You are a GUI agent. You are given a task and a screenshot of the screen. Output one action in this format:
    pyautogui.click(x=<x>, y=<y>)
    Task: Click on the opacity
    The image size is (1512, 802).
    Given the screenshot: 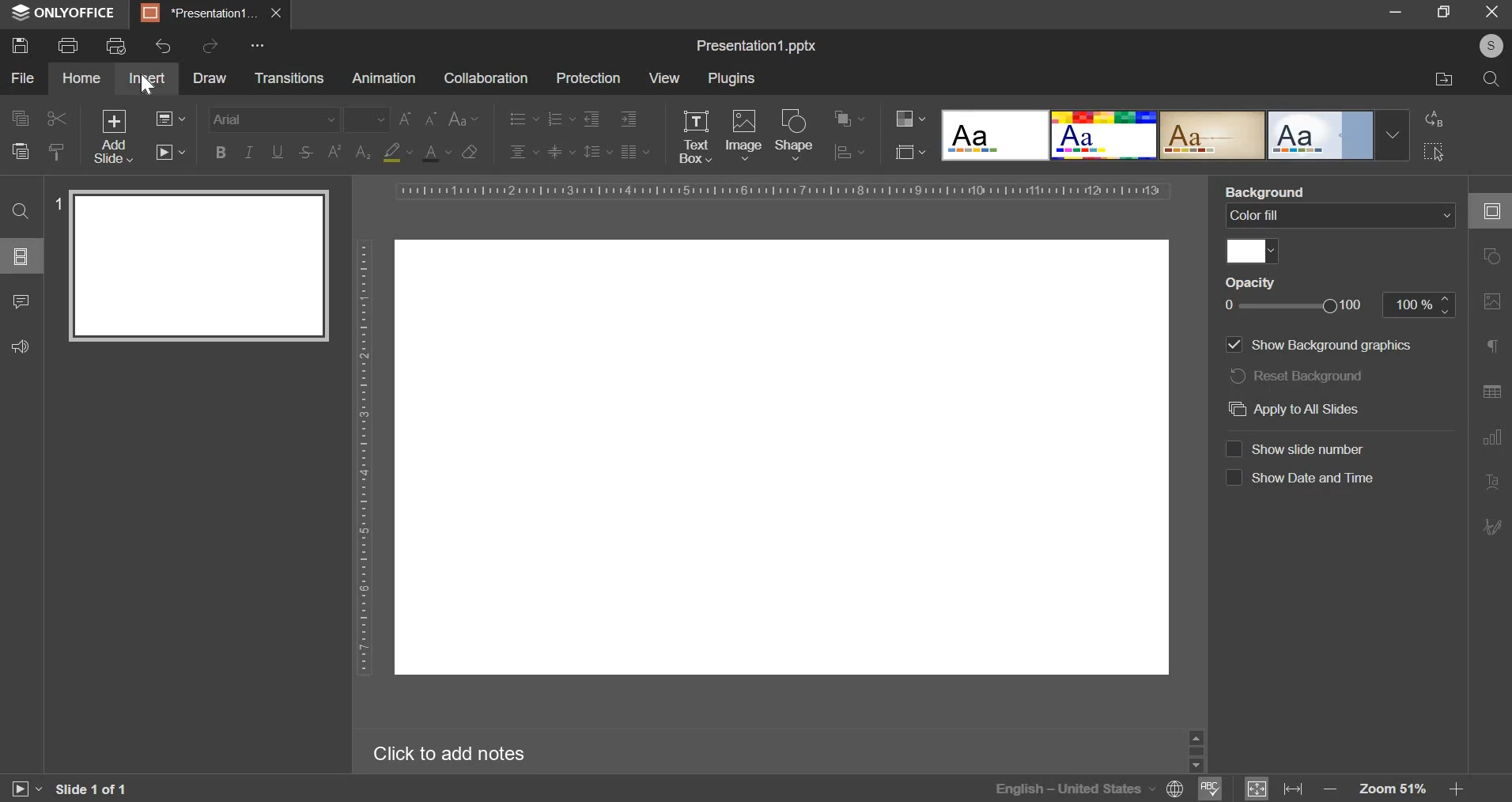 What is the action you would take?
    pyautogui.click(x=1254, y=283)
    